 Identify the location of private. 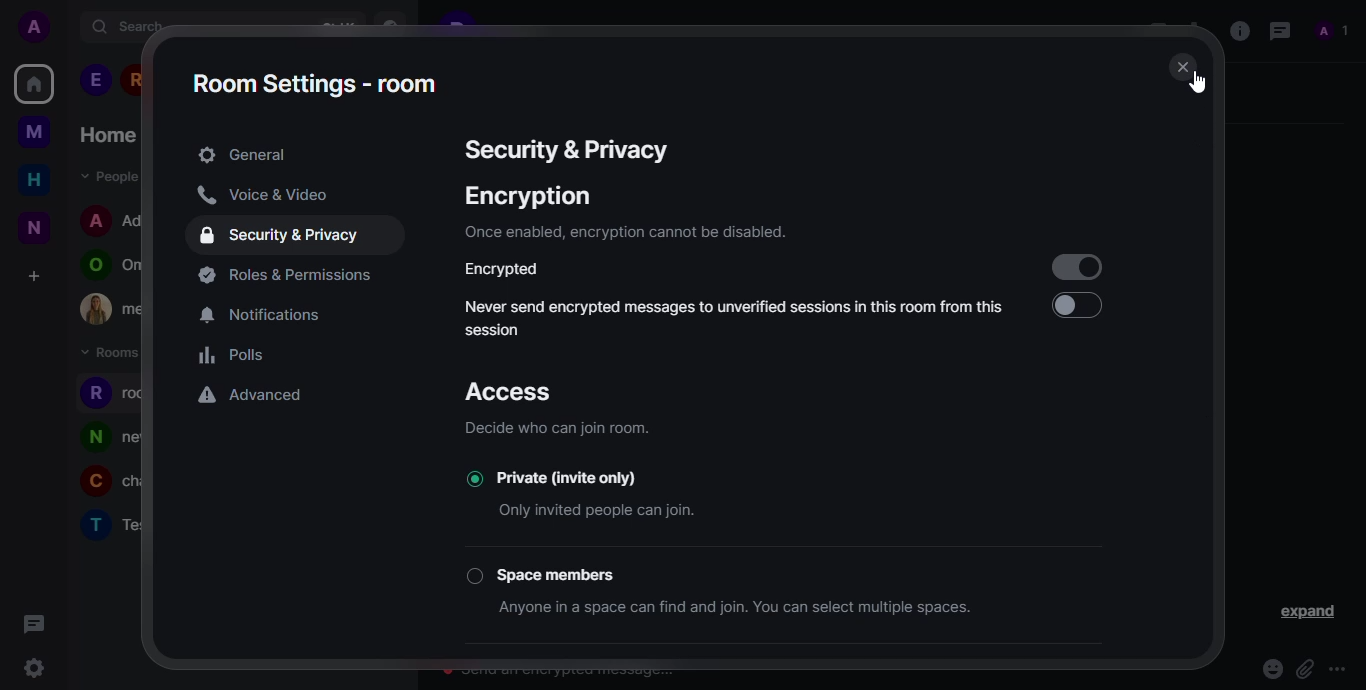
(591, 476).